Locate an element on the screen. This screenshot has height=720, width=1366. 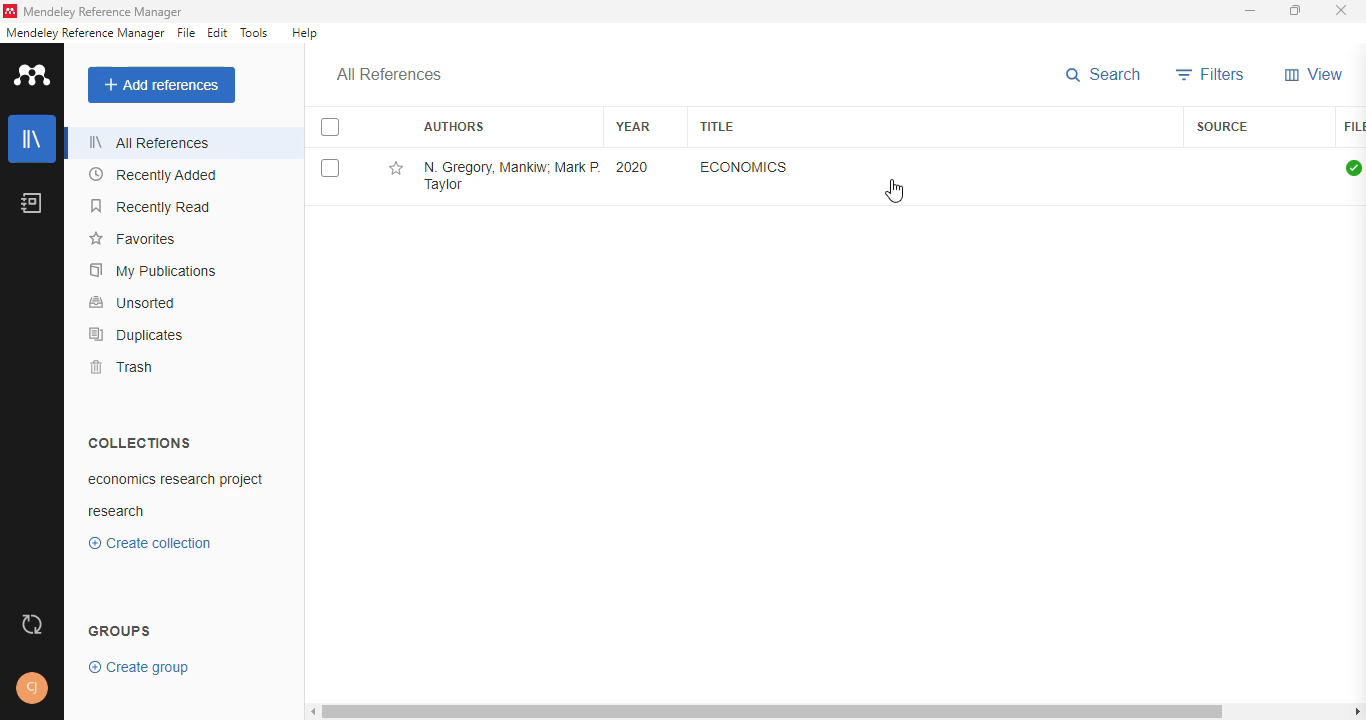
title is located at coordinates (717, 126).